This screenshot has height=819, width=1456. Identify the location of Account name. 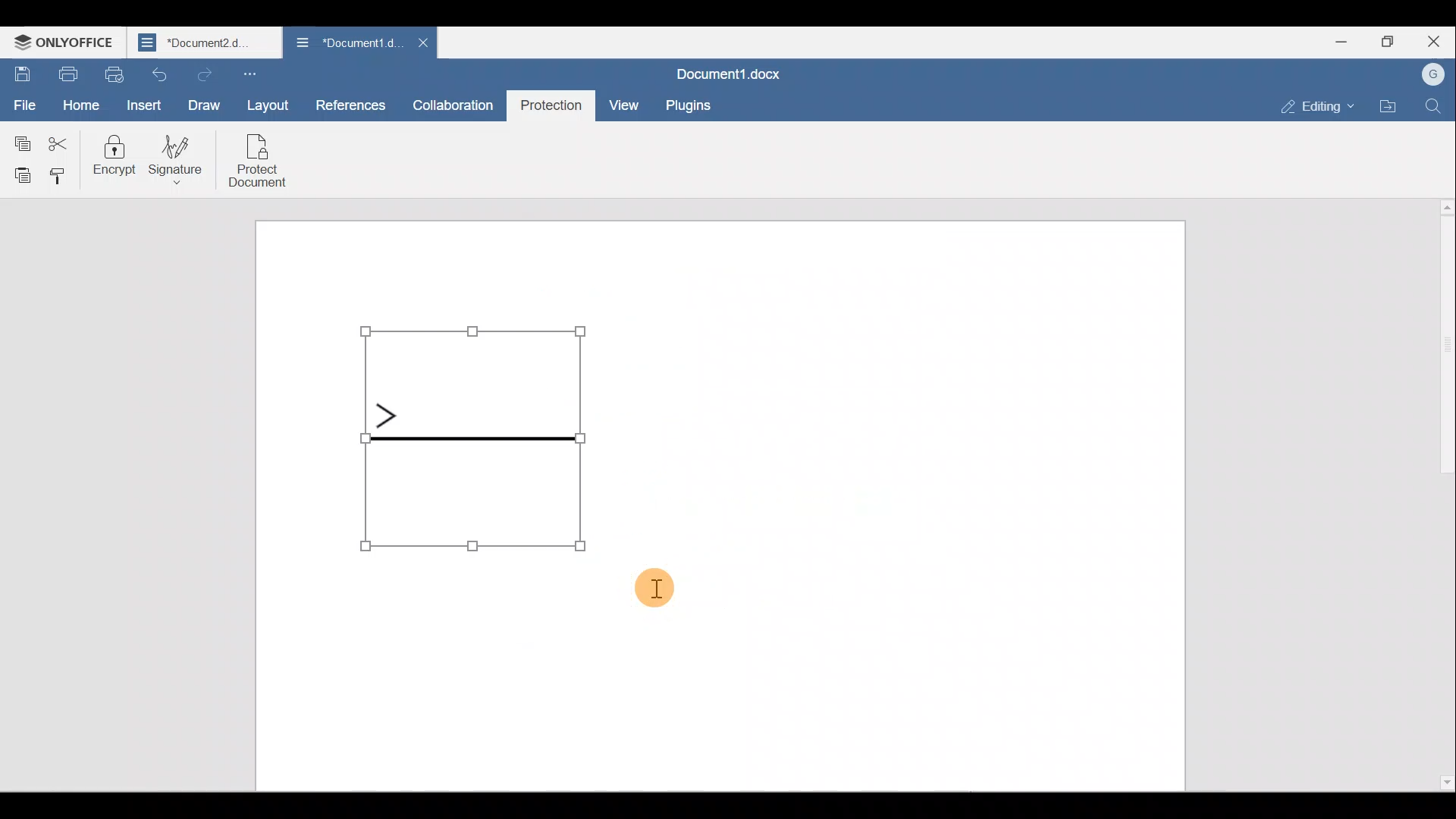
(1436, 73).